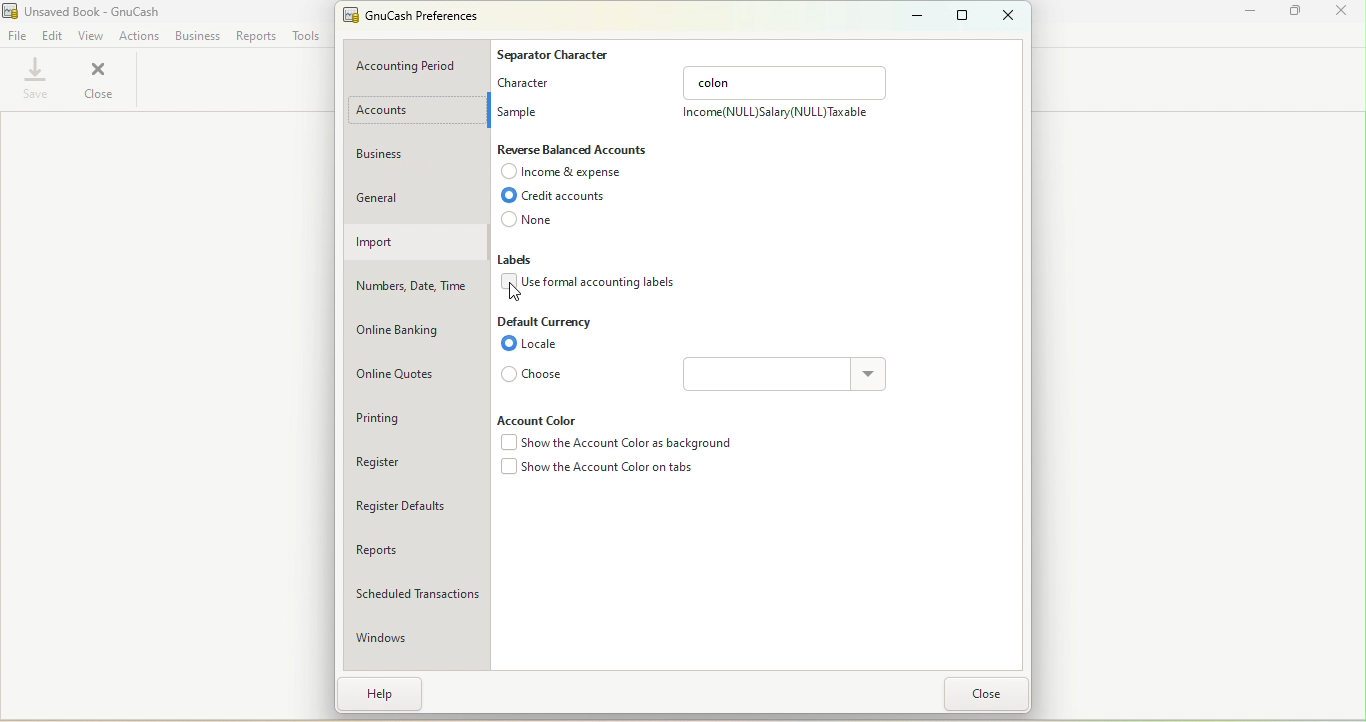  What do you see at coordinates (140, 34) in the screenshot?
I see `Actions` at bounding box center [140, 34].